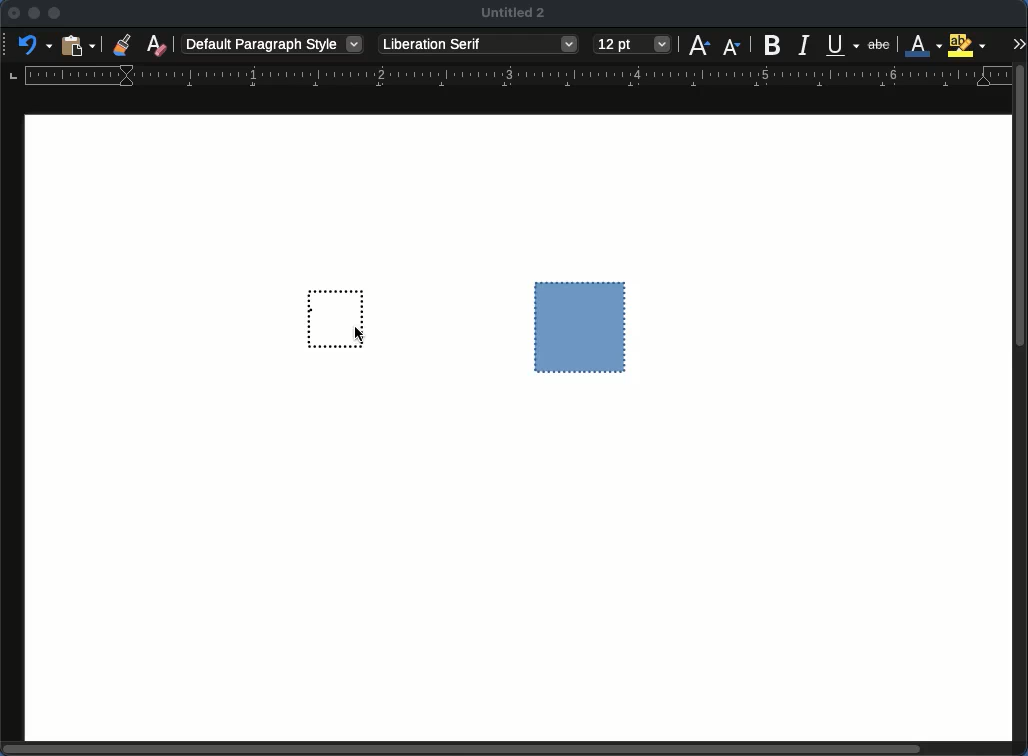  Describe the element at coordinates (879, 44) in the screenshot. I see `strikethrough` at that location.